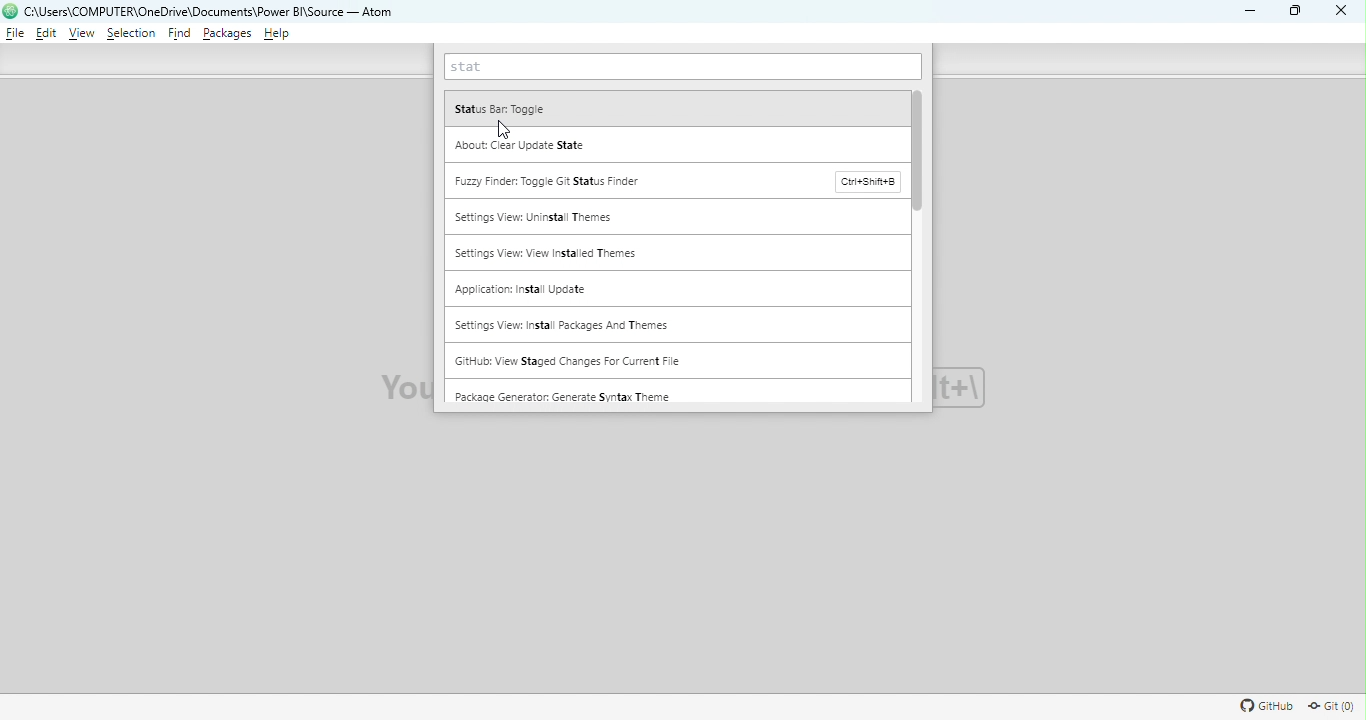  I want to click on Edit, so click(45, 35).